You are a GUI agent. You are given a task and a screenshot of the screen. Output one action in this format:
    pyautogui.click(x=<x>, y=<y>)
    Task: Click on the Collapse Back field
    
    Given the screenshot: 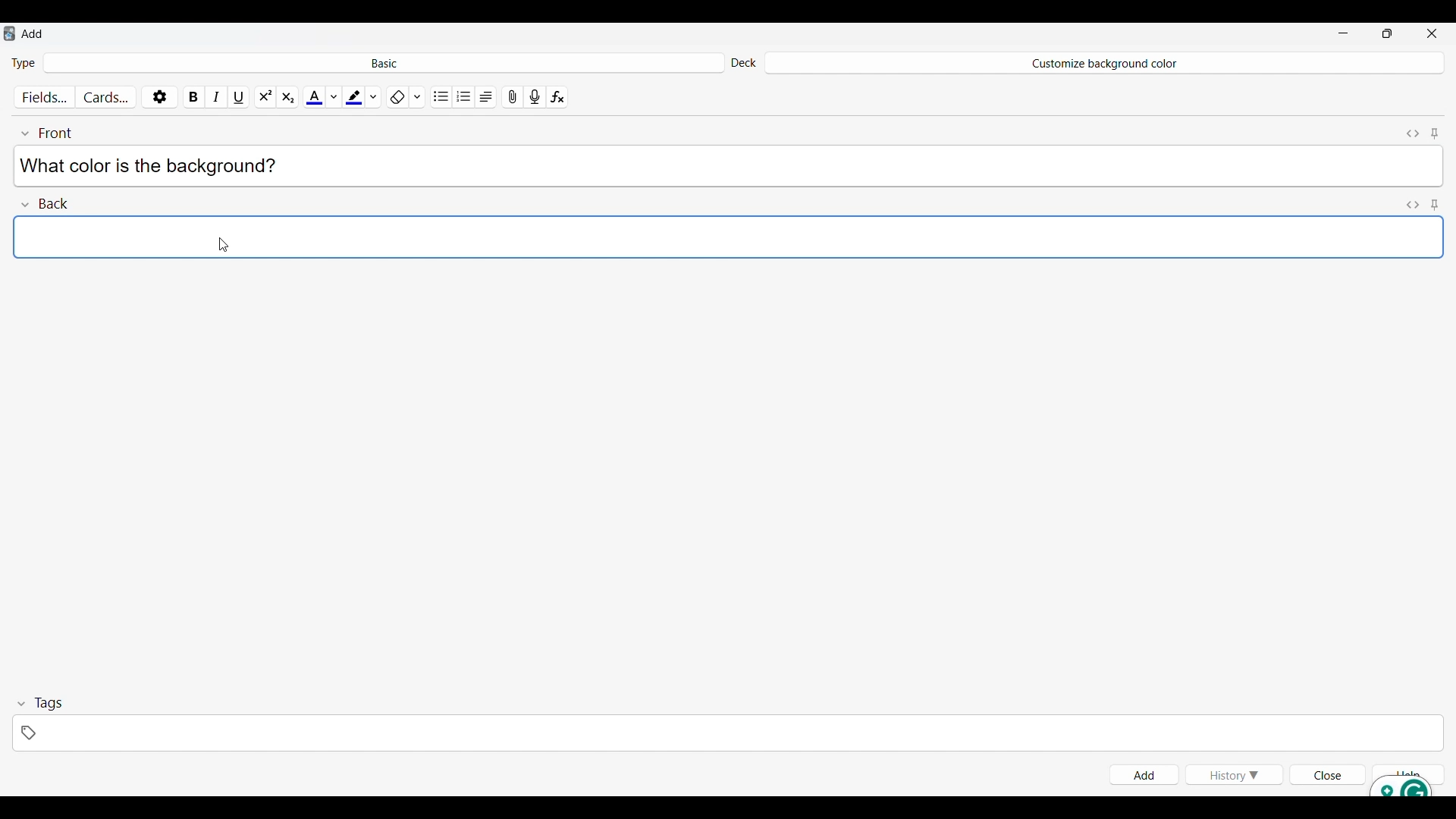 What is the action you would take?
    pyautogui.click(x=45, y=202)
    